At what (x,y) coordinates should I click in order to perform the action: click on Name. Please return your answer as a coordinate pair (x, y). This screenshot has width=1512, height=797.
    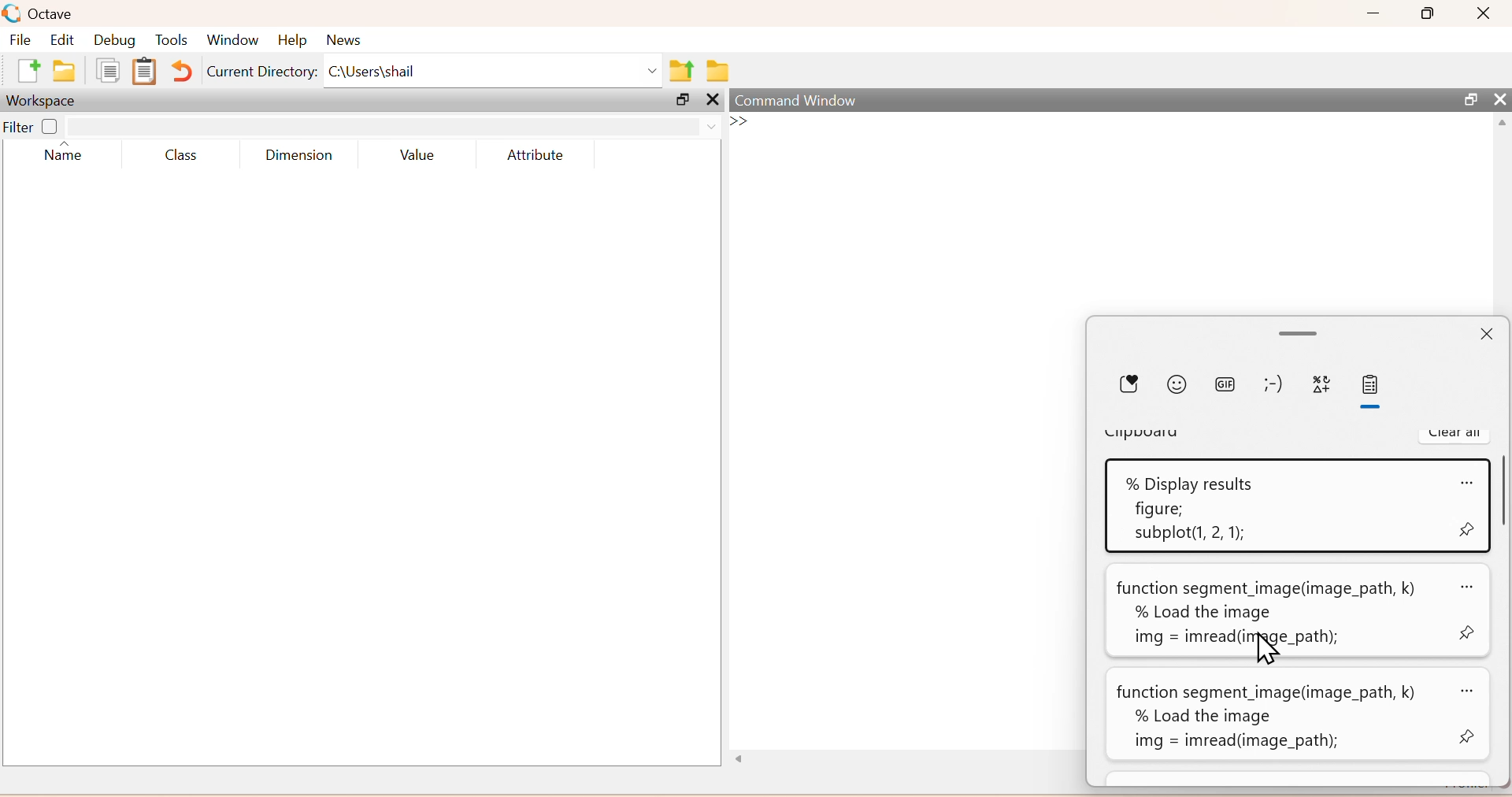
    Looking at the image, I should click on (65, 154).